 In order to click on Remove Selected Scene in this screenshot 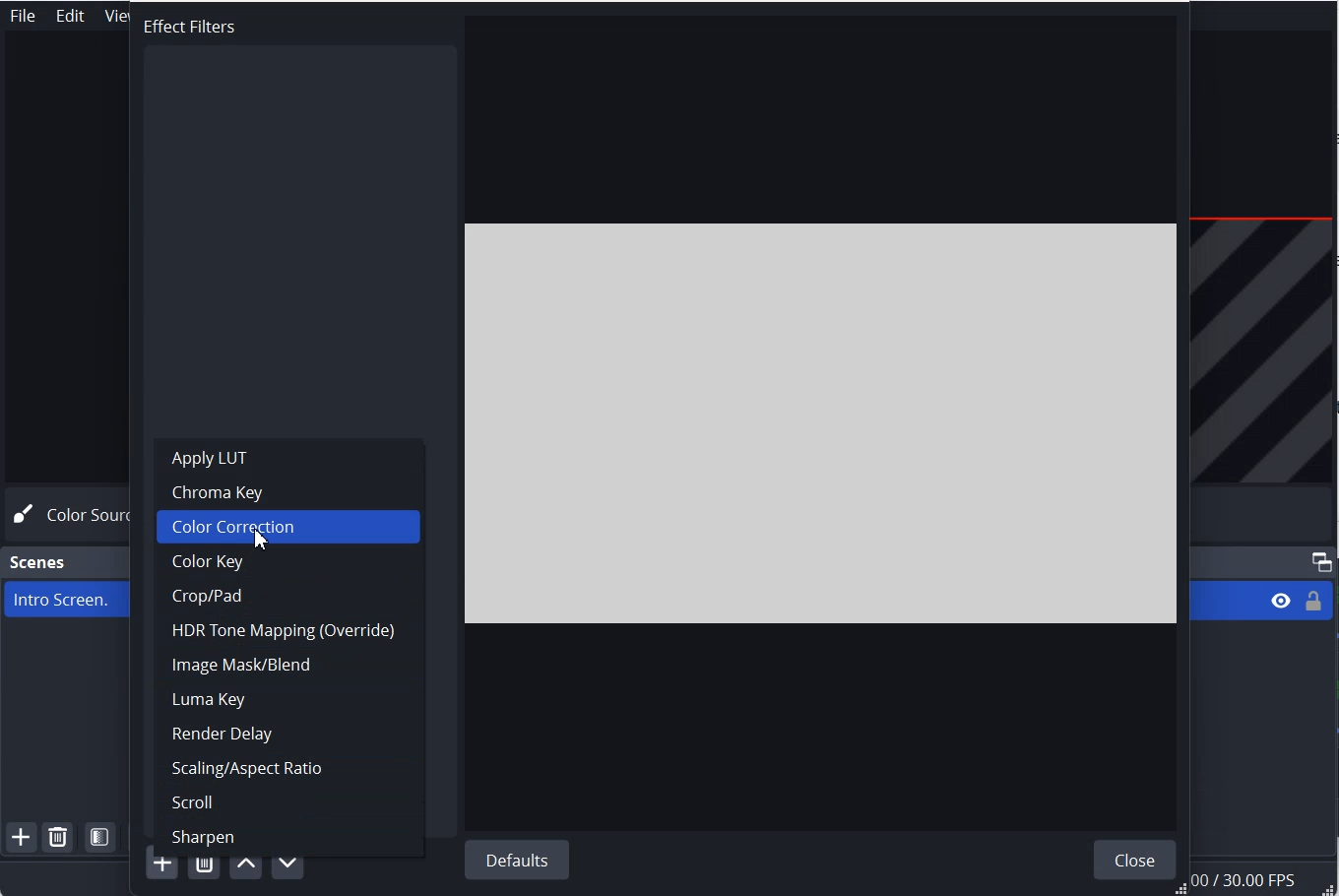, I will do `click(61, 837)`.